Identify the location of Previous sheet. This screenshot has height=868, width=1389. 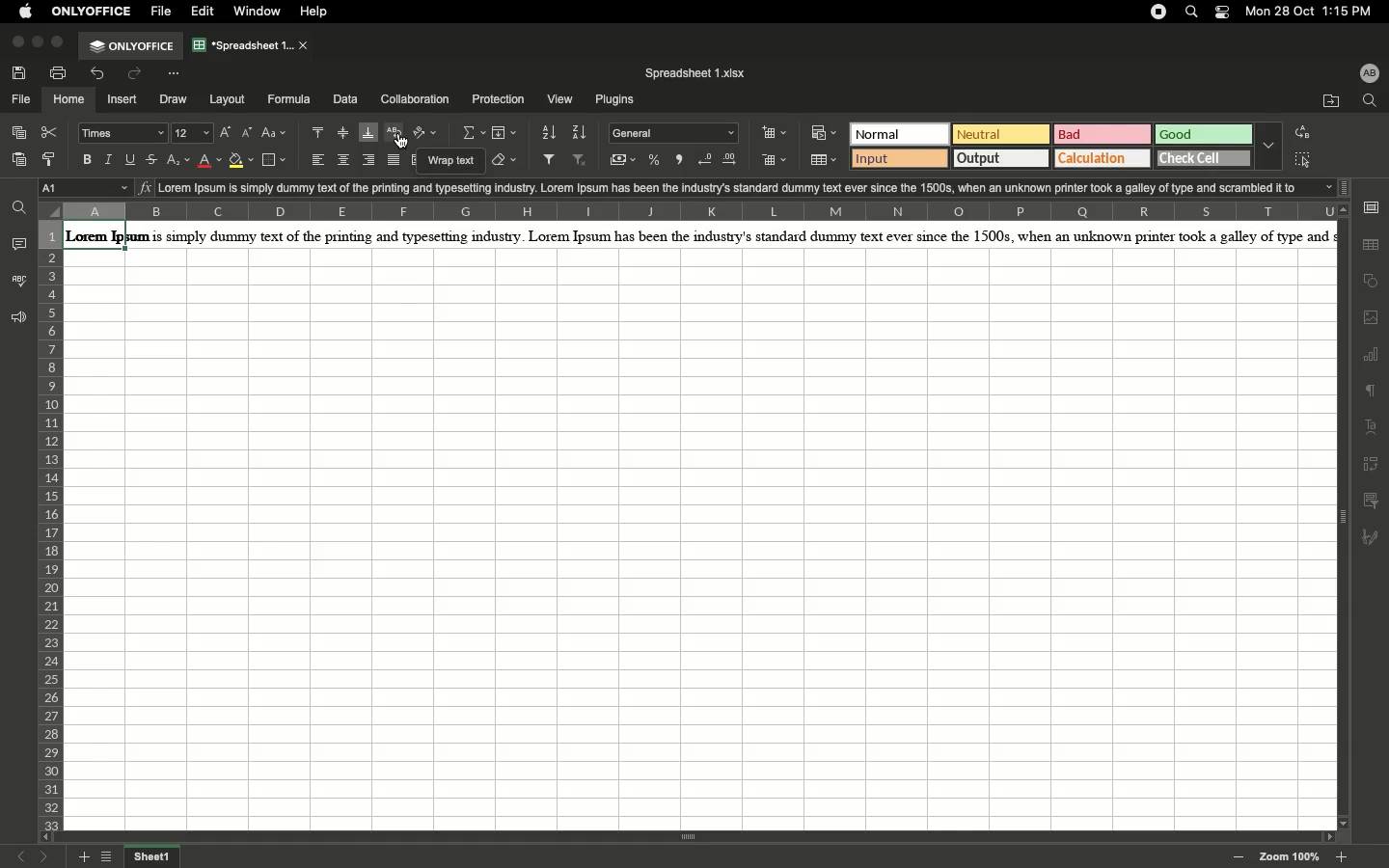
(20, 855).